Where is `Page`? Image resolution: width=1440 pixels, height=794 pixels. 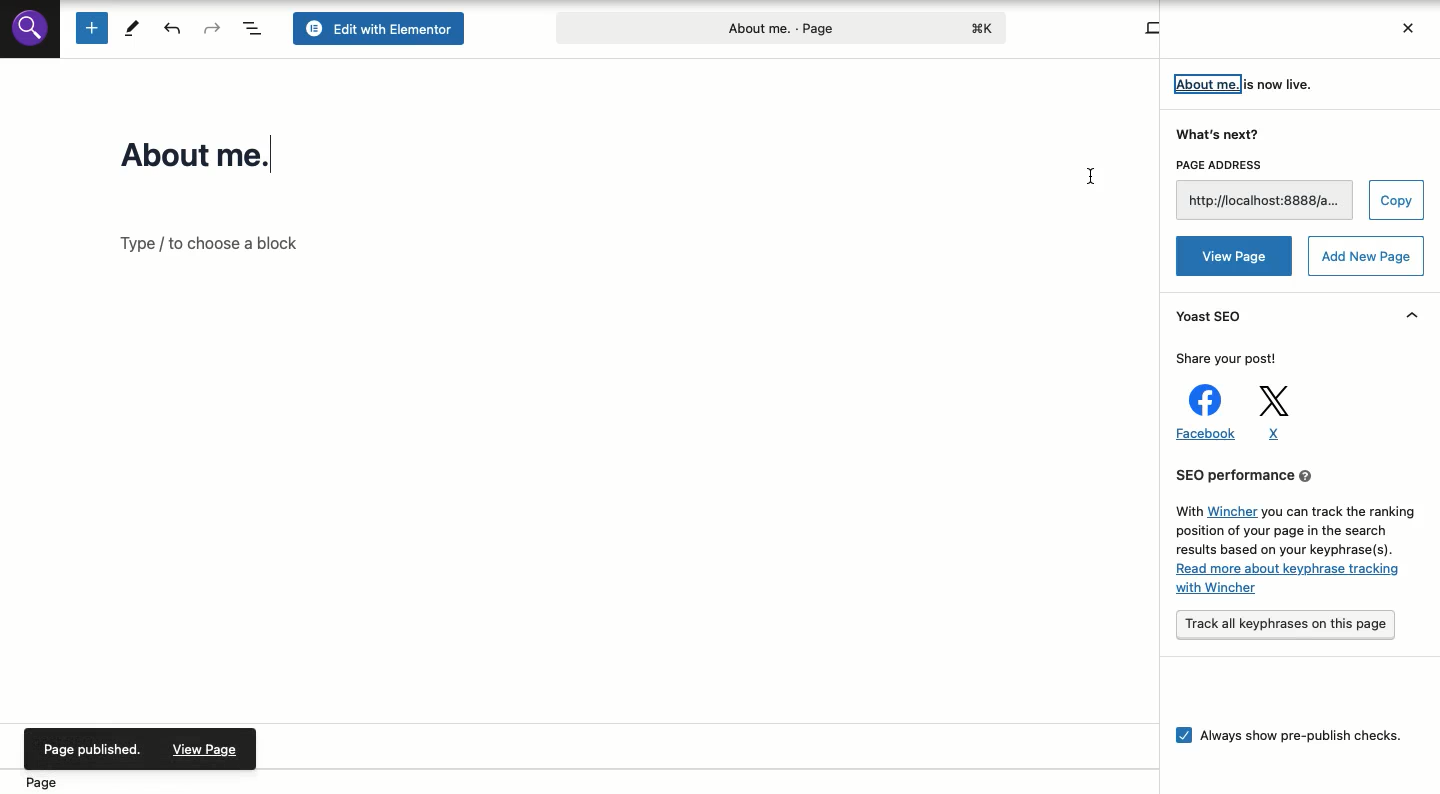 Page is located at coordinates (50, 783).